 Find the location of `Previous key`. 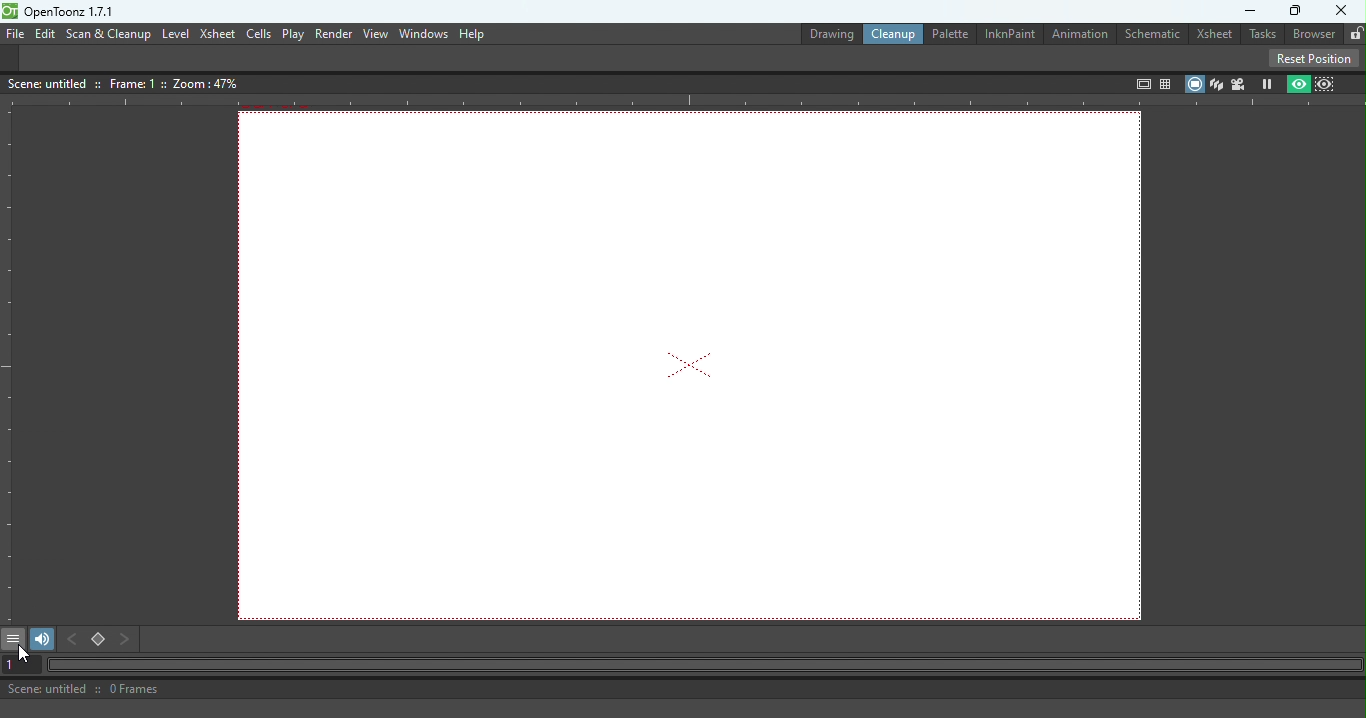

Previous key is located at coordinates (76, 640).